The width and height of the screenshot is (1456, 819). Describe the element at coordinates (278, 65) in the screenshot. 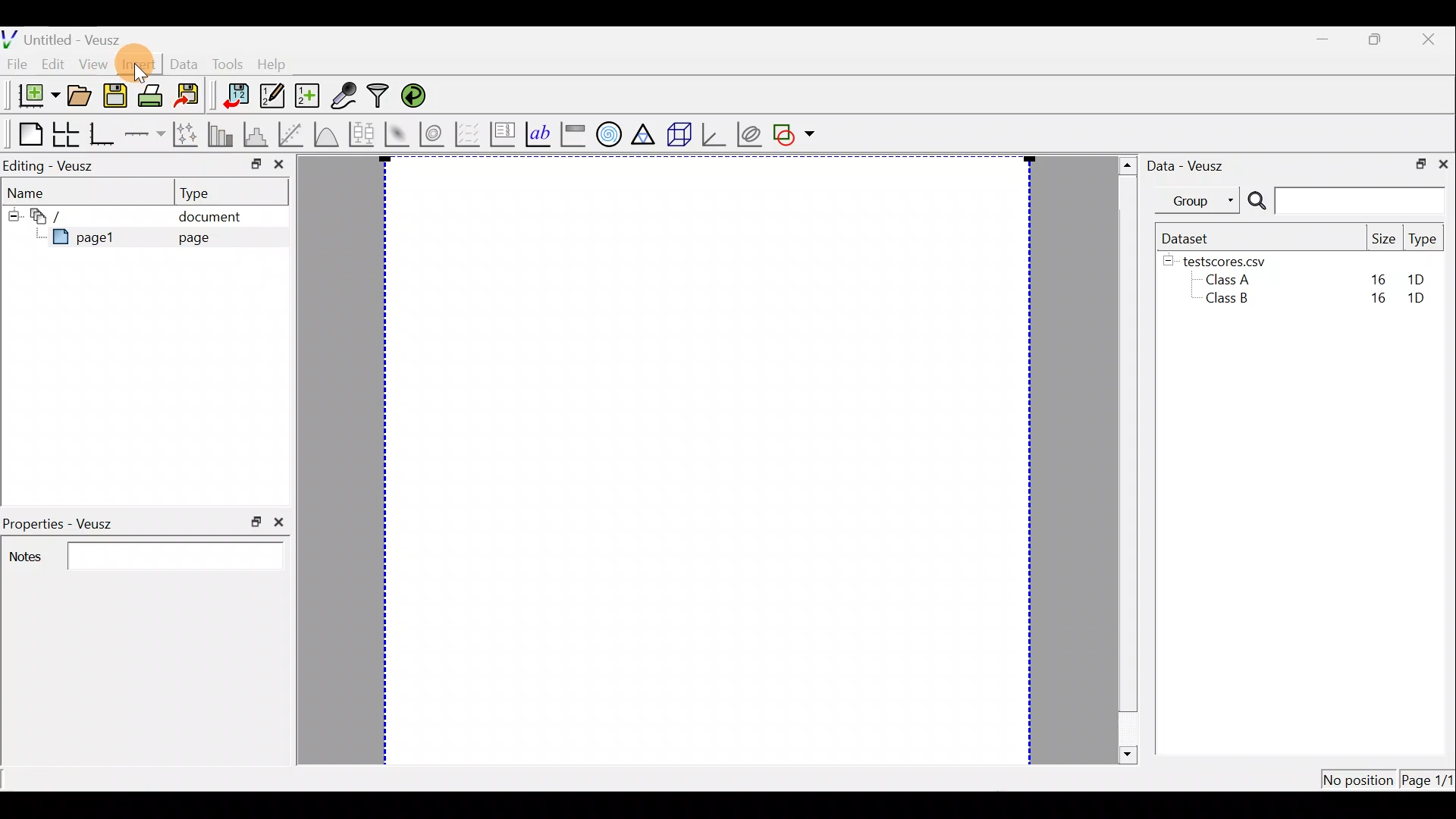

I see `Help` at that location.